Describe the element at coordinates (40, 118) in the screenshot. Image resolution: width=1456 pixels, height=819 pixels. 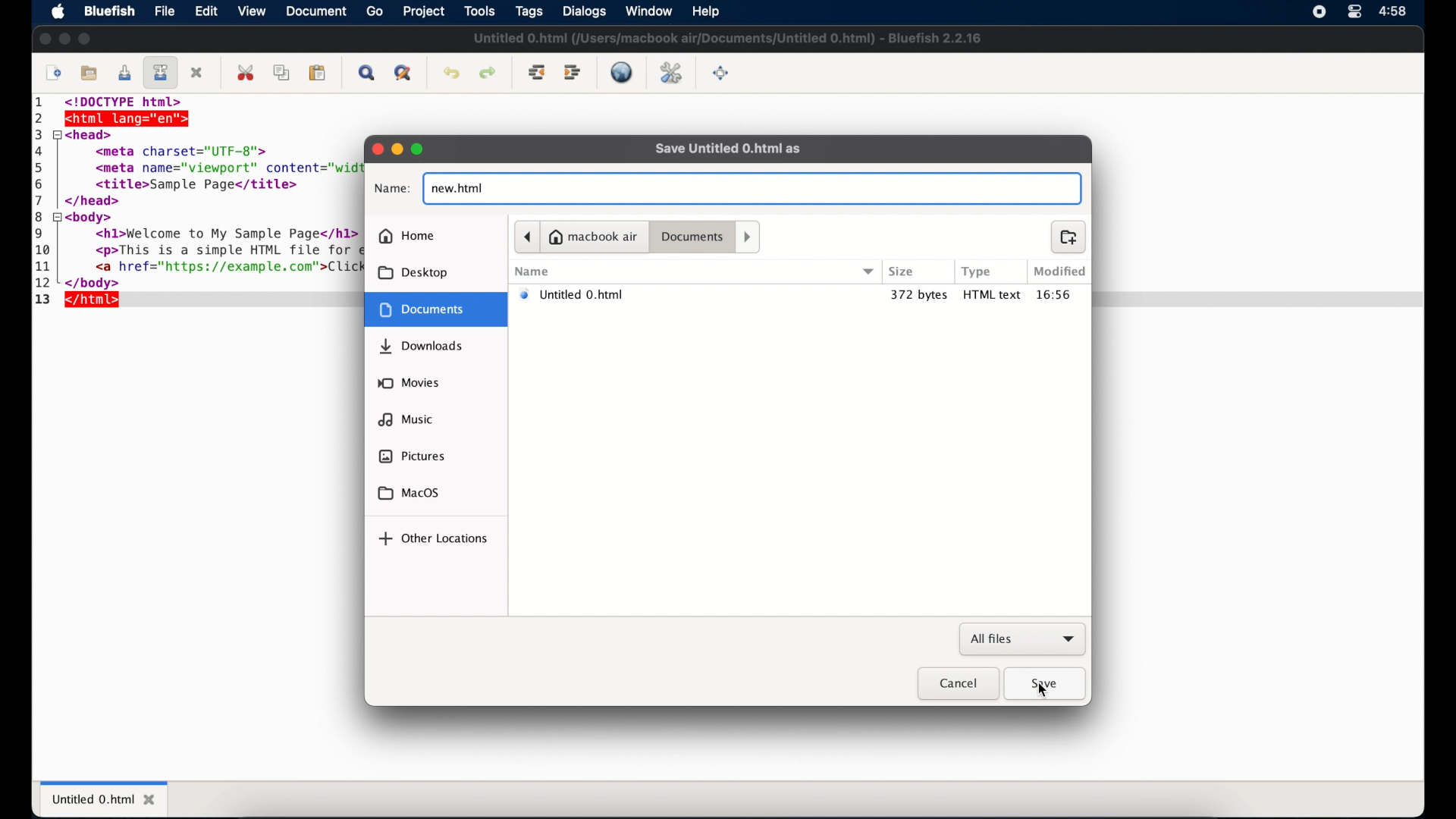
I see `2` at that location.